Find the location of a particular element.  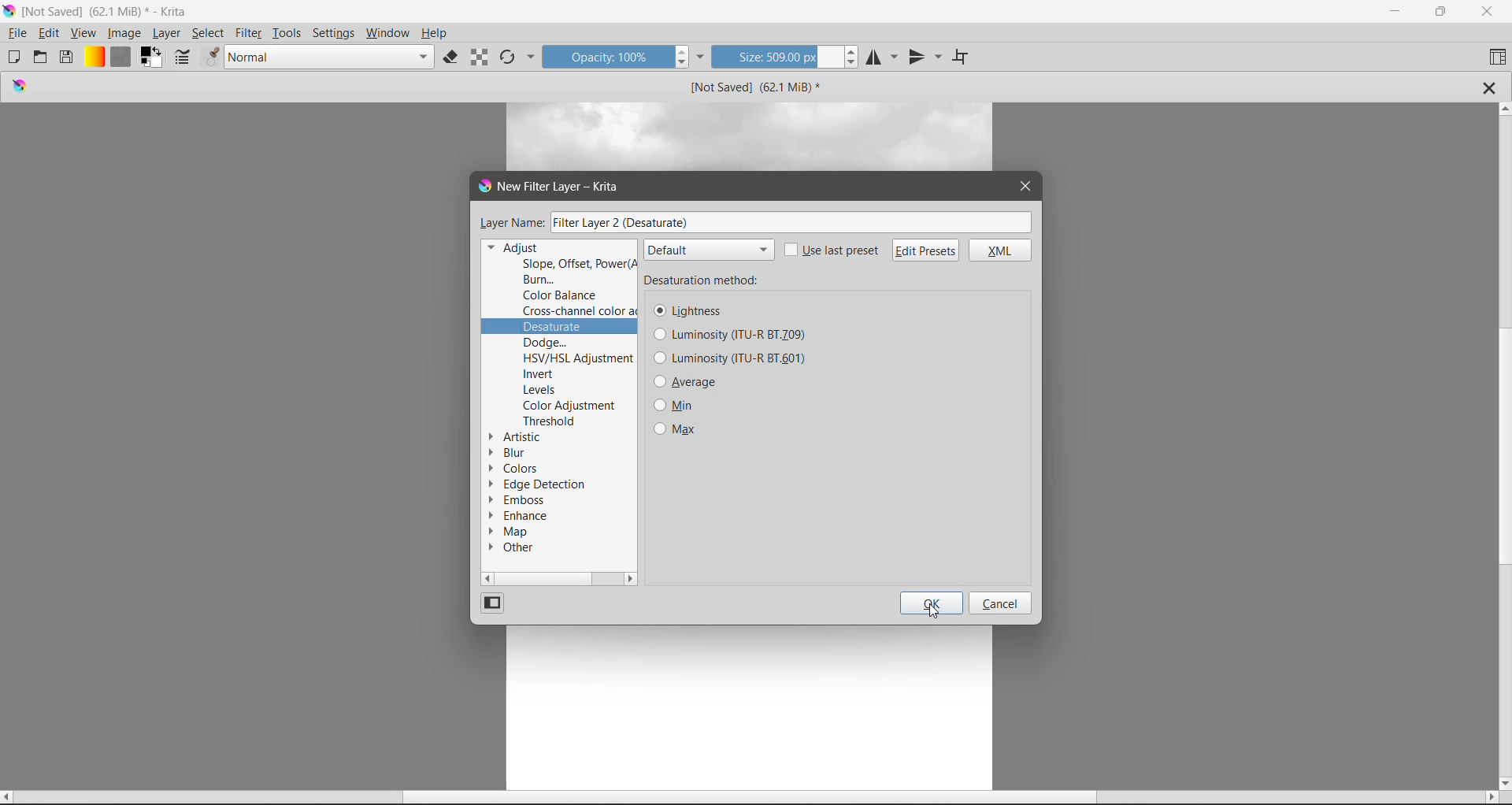

Choose Workspace is located at coordinates (1495, 57).